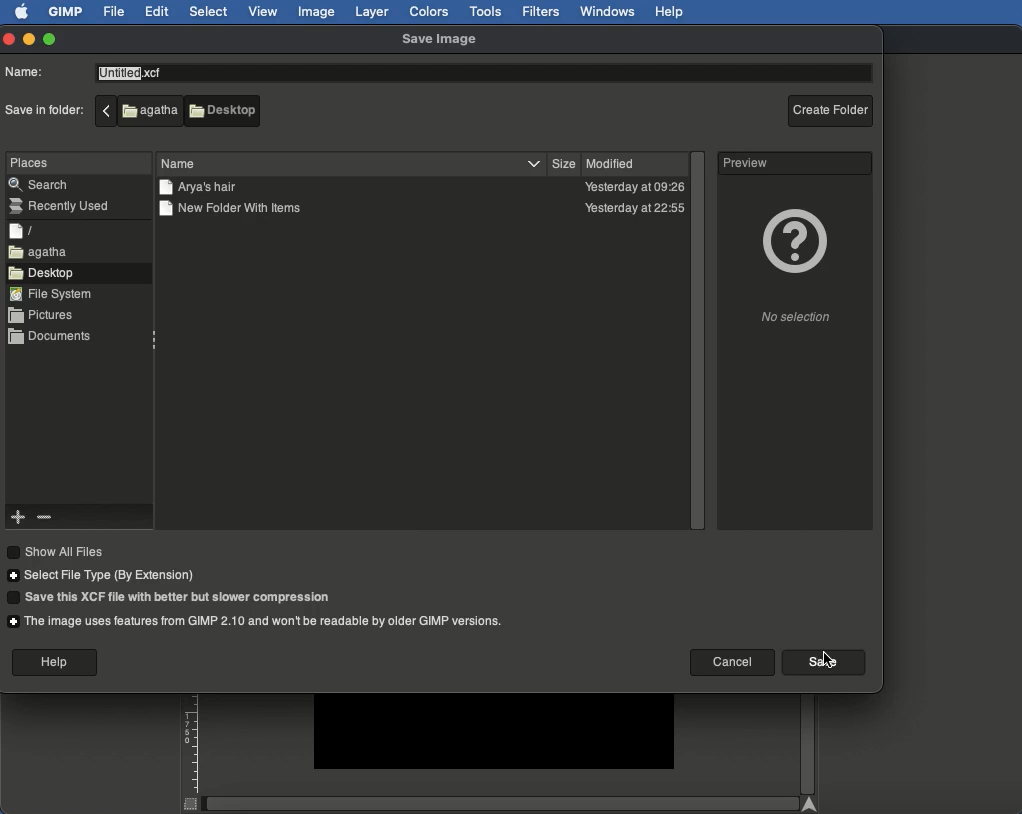  Describe the element at coordinates (104, 576) in the screenshot. I see `Select file type` at that location.